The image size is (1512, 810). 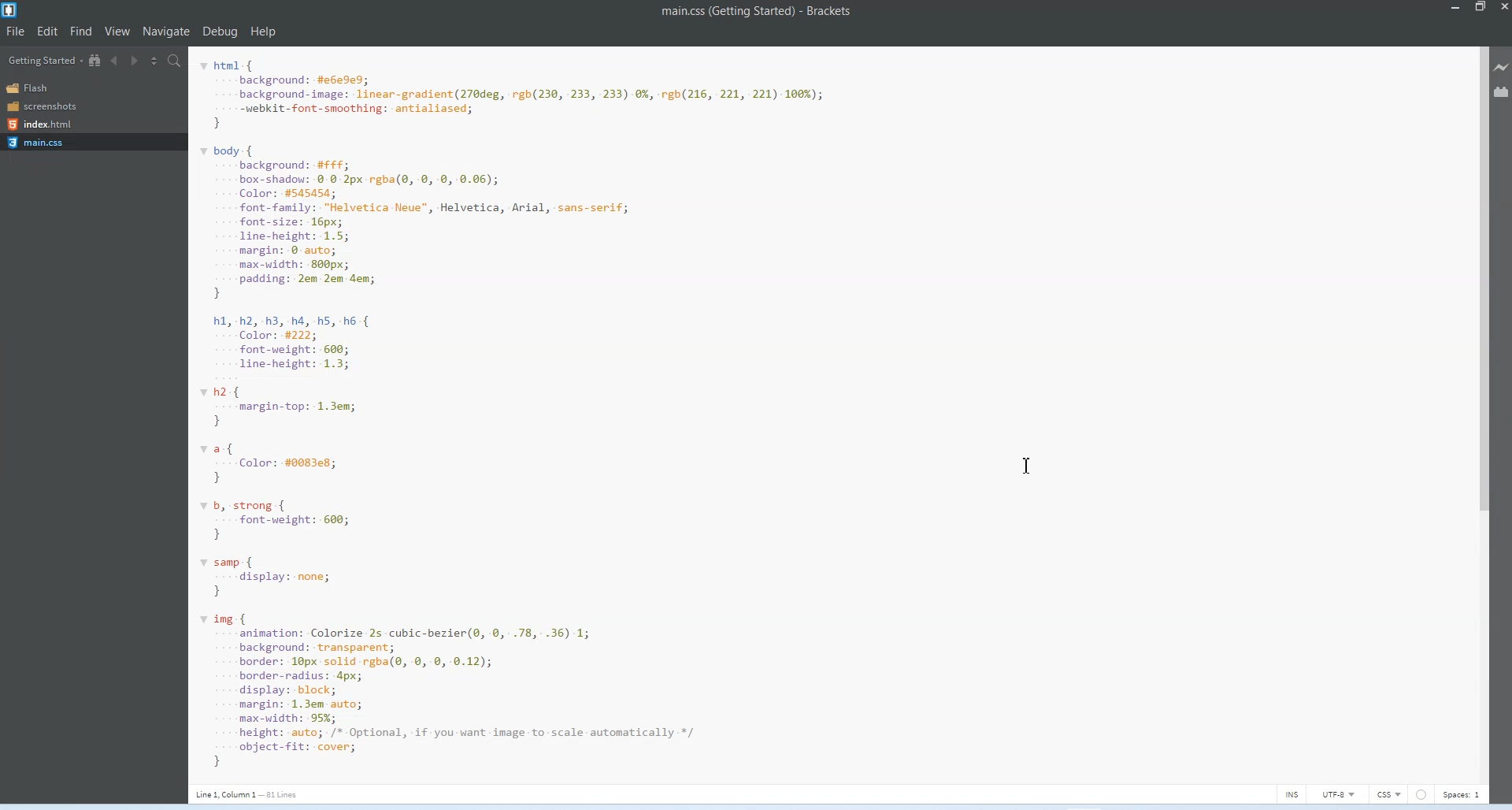 What do you see at coordinates (168, 32) in the screenshot?
I see `Navigate` at bounding box center [168, 32].